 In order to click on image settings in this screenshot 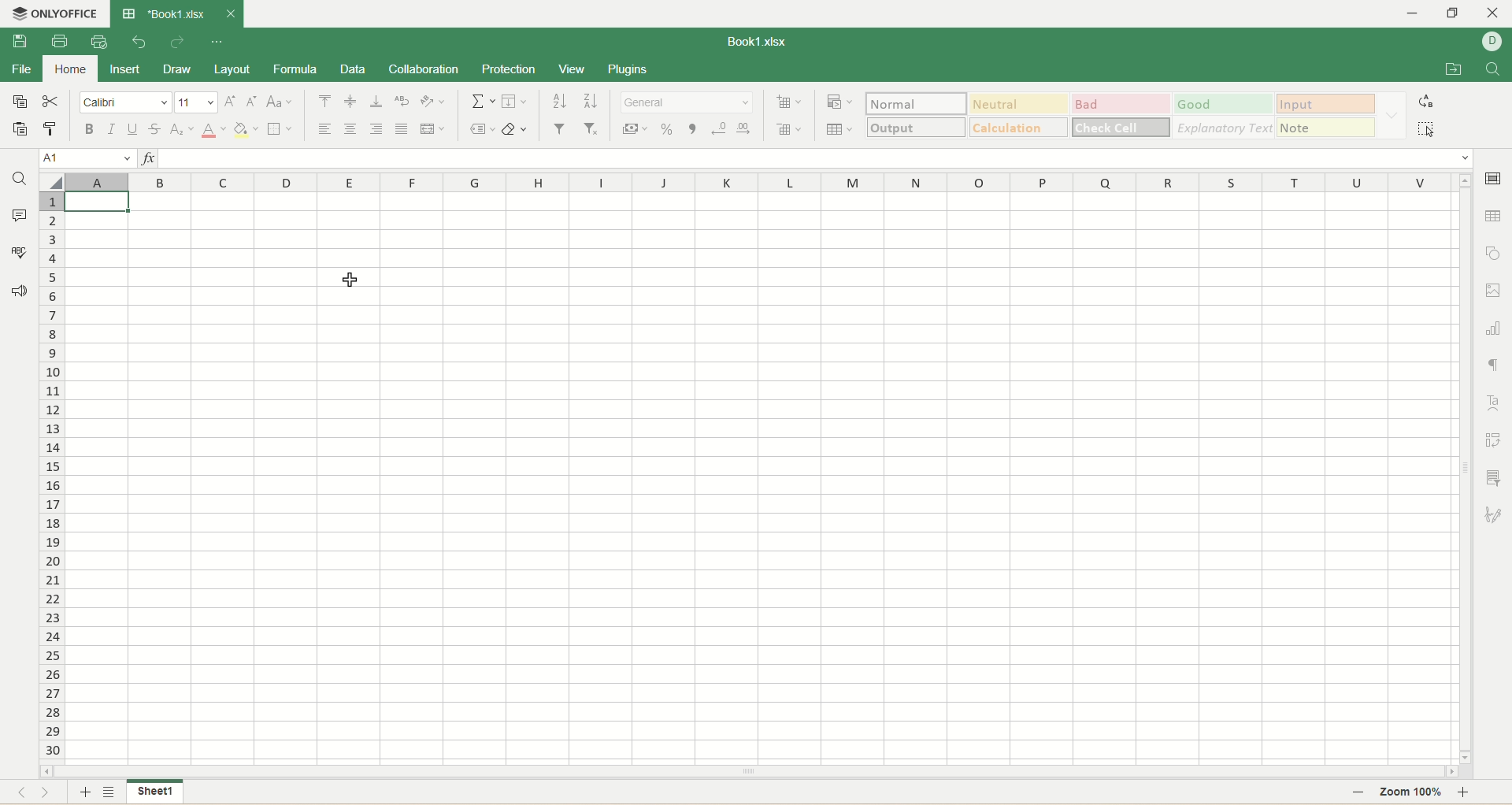, I will do `click(1497, 290)`.